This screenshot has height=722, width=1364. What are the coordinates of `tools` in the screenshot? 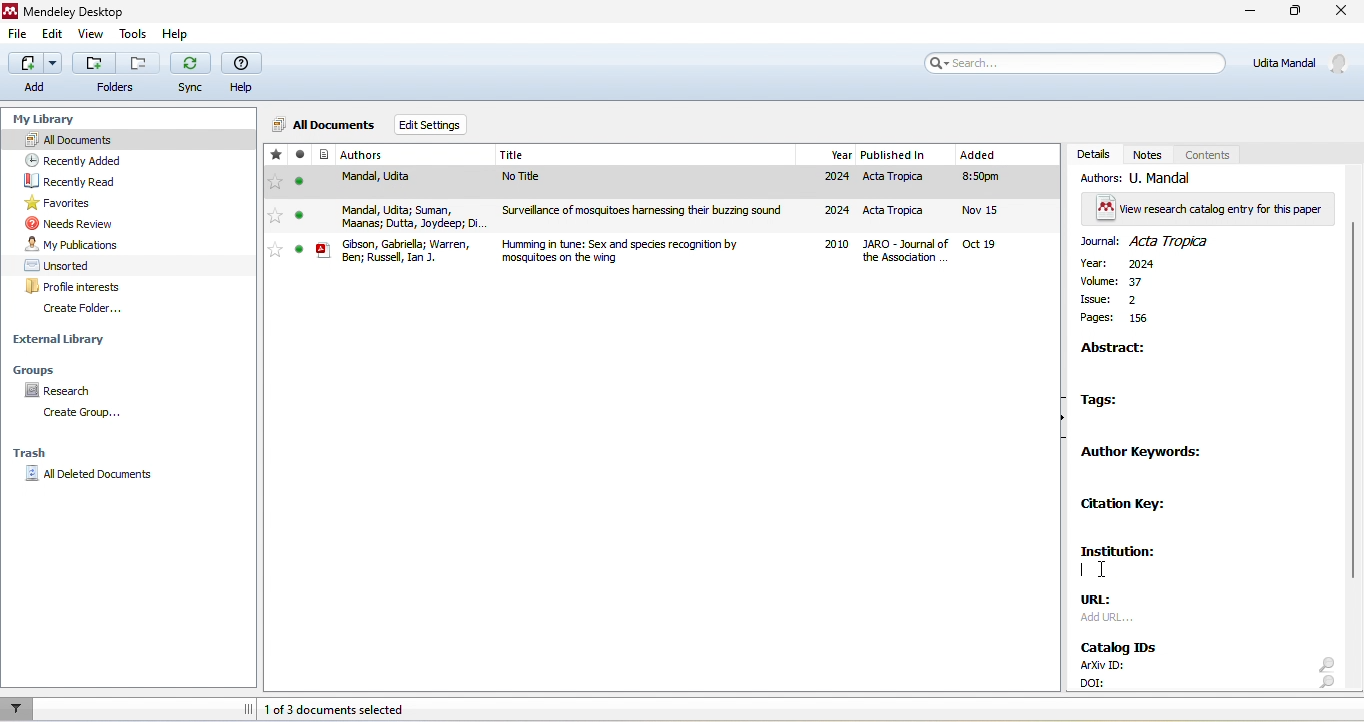 It's located at (132, 36).